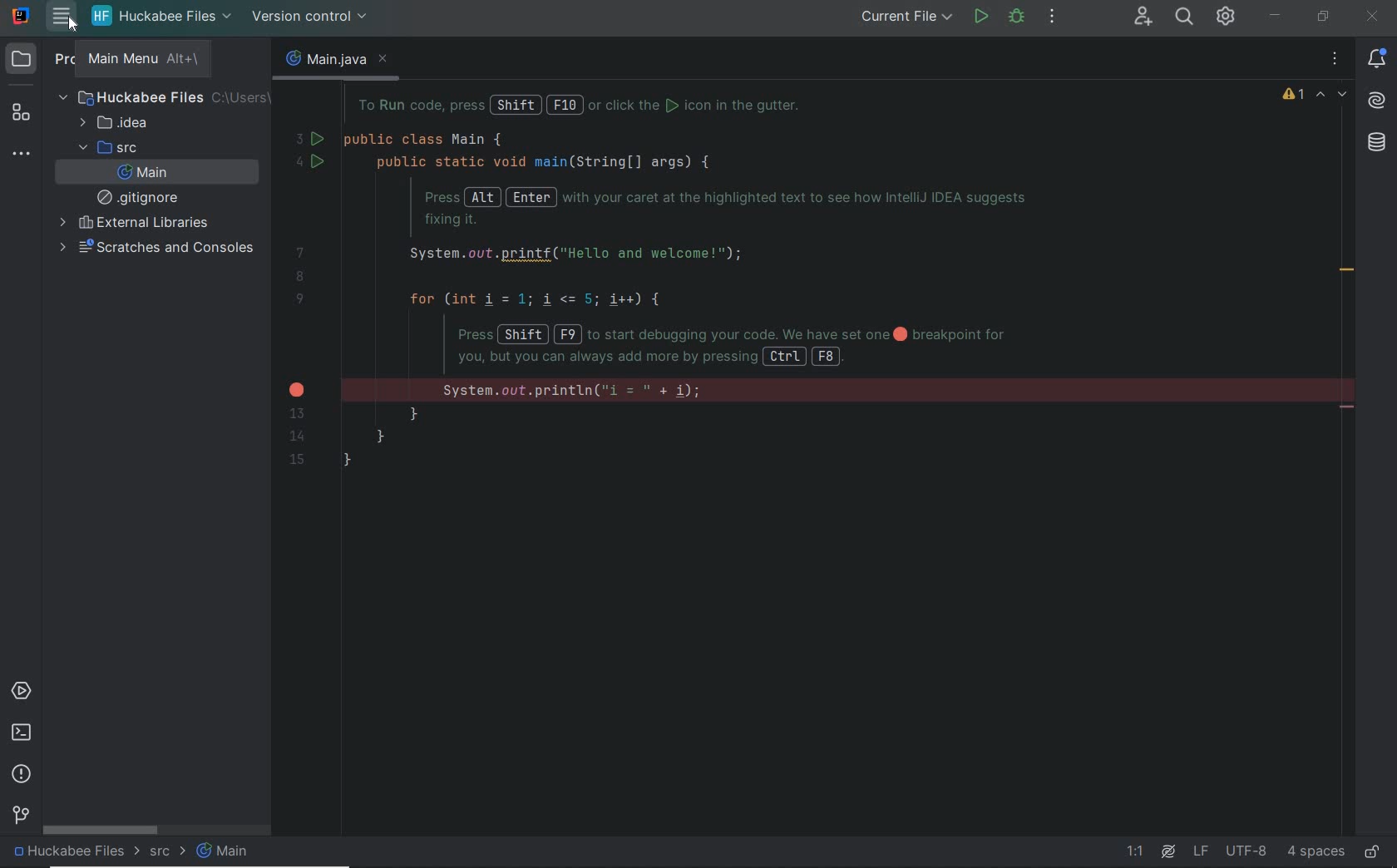  I want to click on project file name, so click(159, 16).